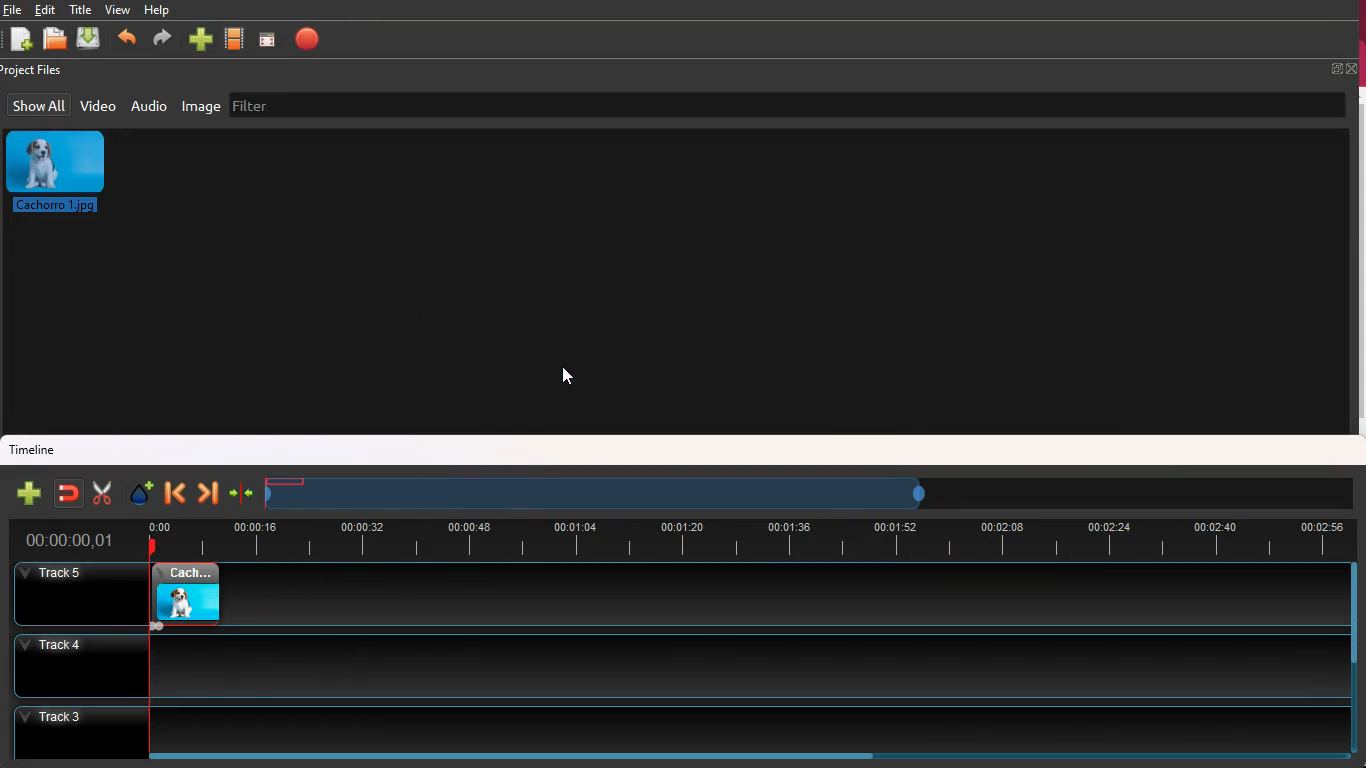 This screenshot has height=768, width=1366. I want to click on track3, so click(677, 727).